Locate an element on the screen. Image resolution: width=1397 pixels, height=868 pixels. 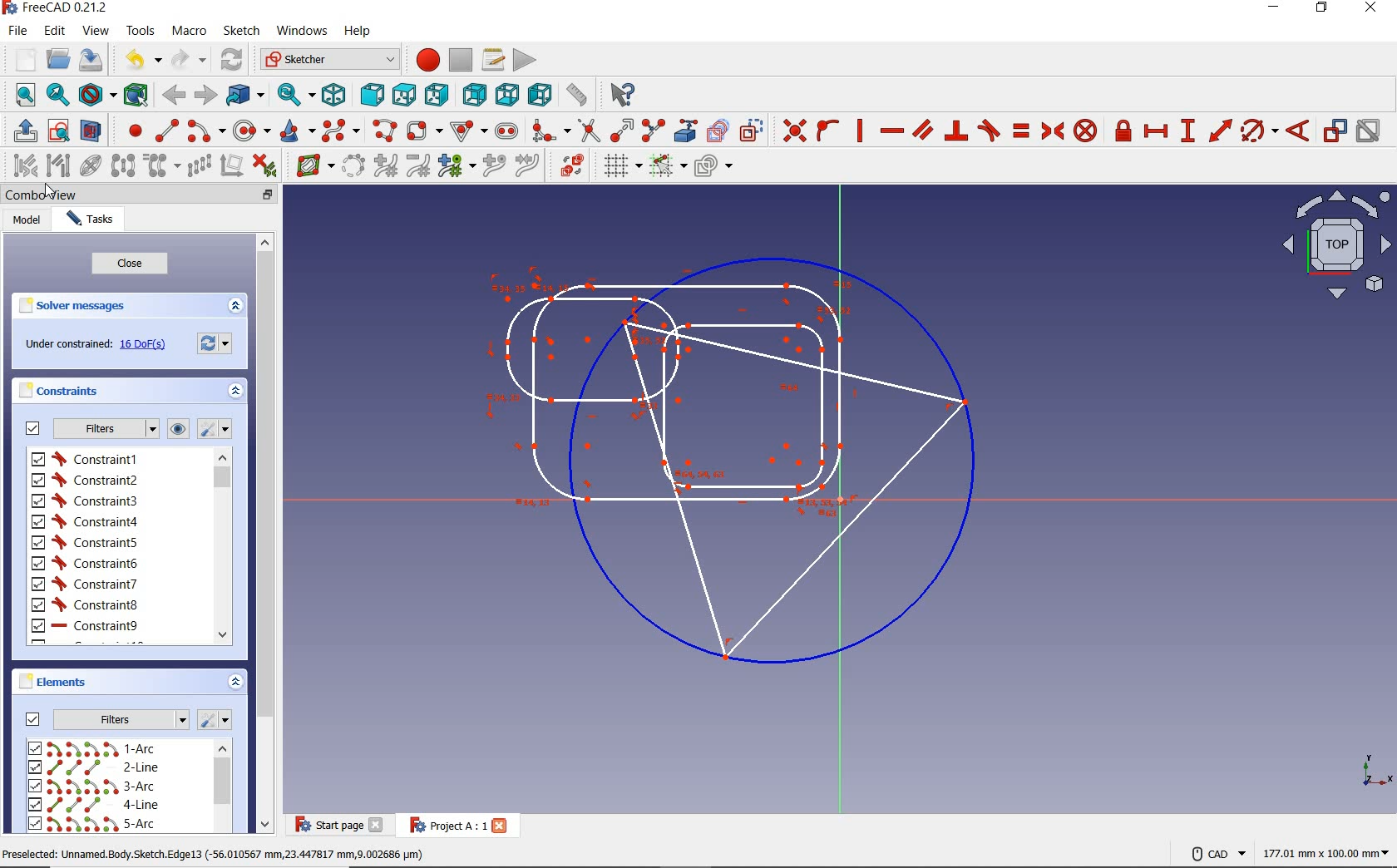
constrain coincident is located at coordinates (792, 130).